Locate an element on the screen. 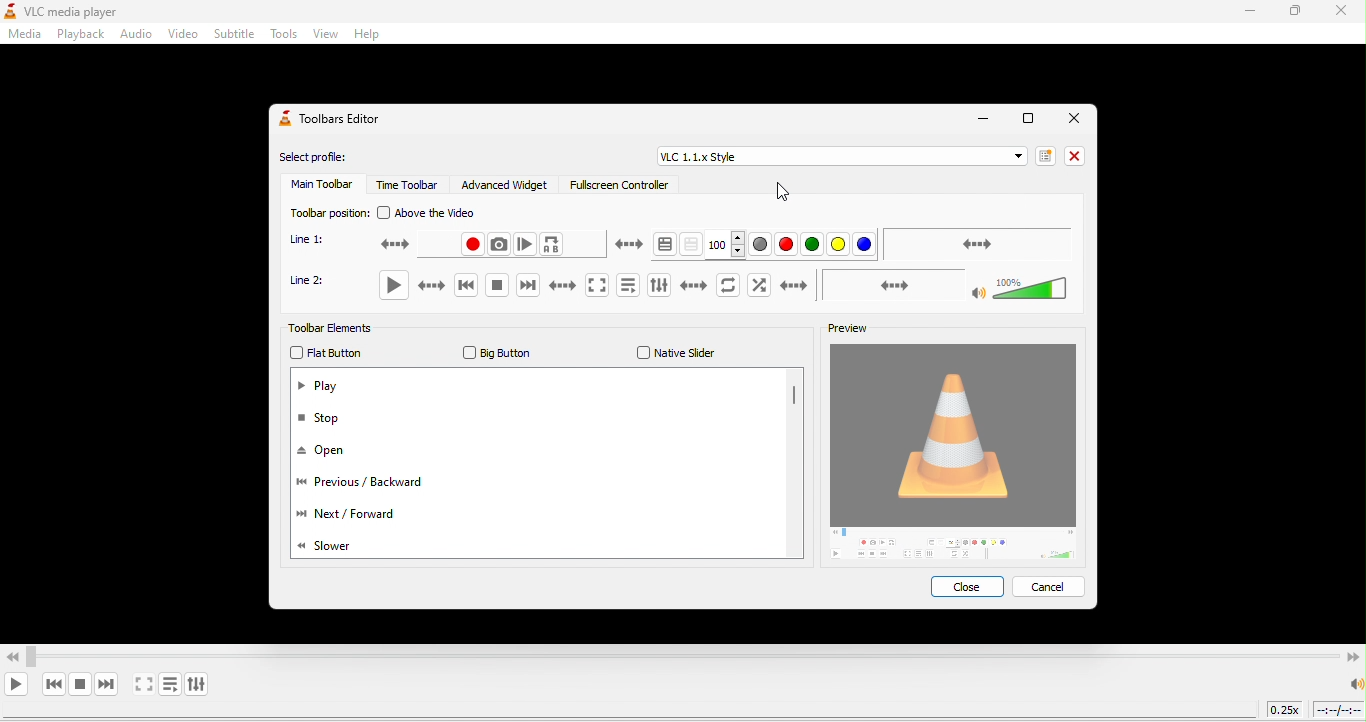 Image resolution: width=1366 pixels, height=722 pixels. select profile is located at coordinates (321, 158).